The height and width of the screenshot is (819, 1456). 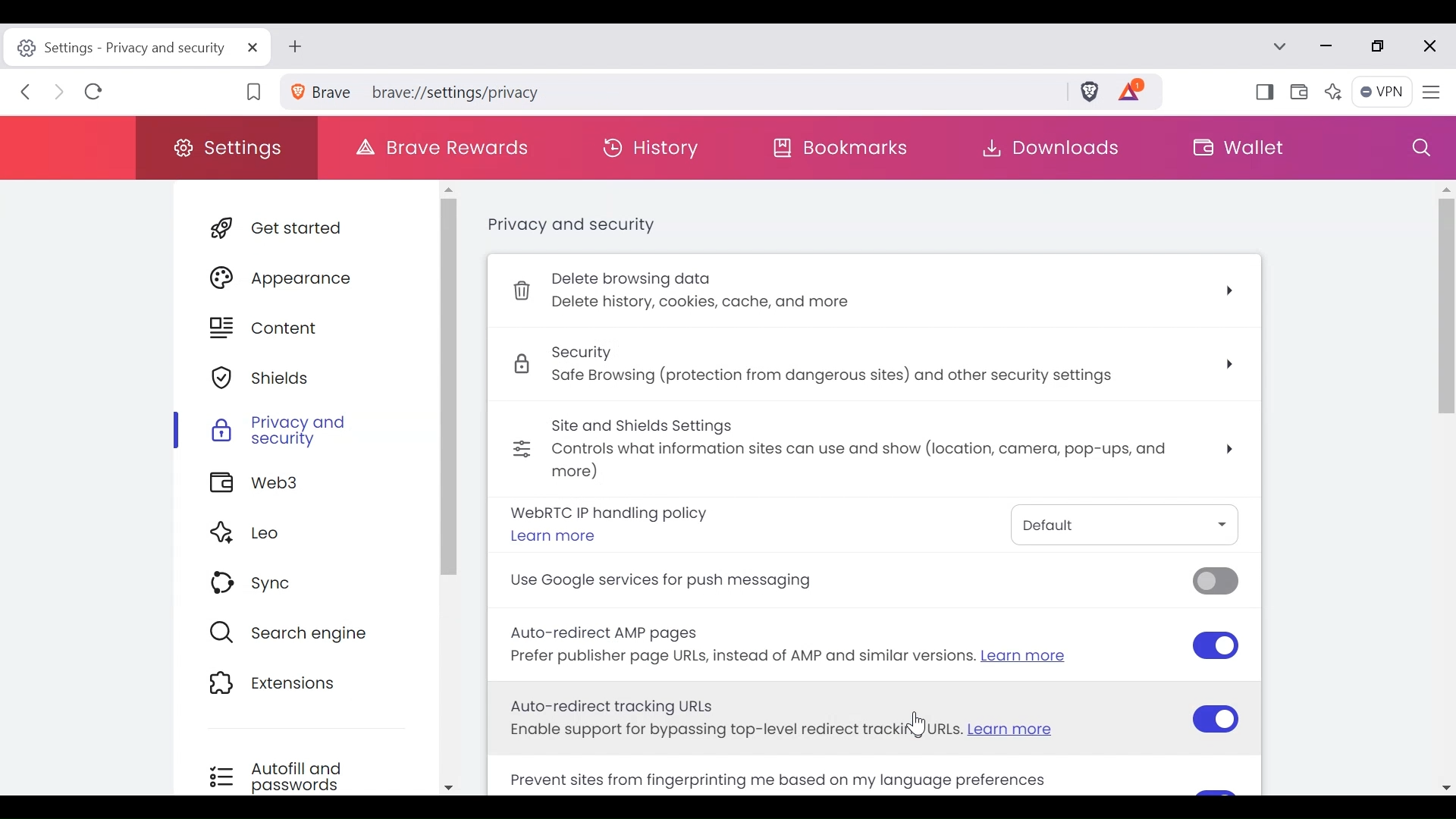 I want to click on Bookmarks, so click(x=849, y=151).